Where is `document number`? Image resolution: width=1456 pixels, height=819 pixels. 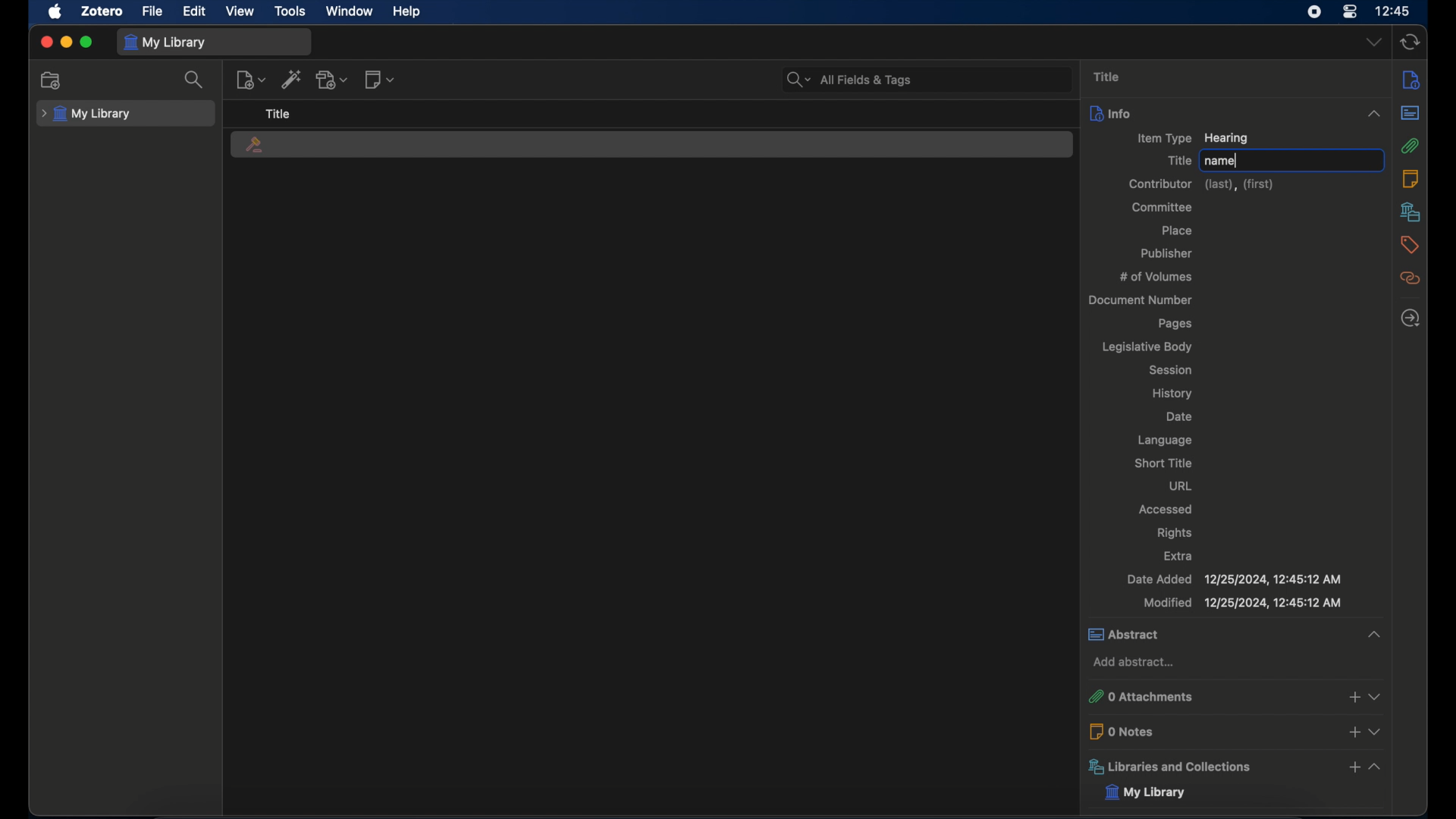 document number is located at coordinates (1139, 300).